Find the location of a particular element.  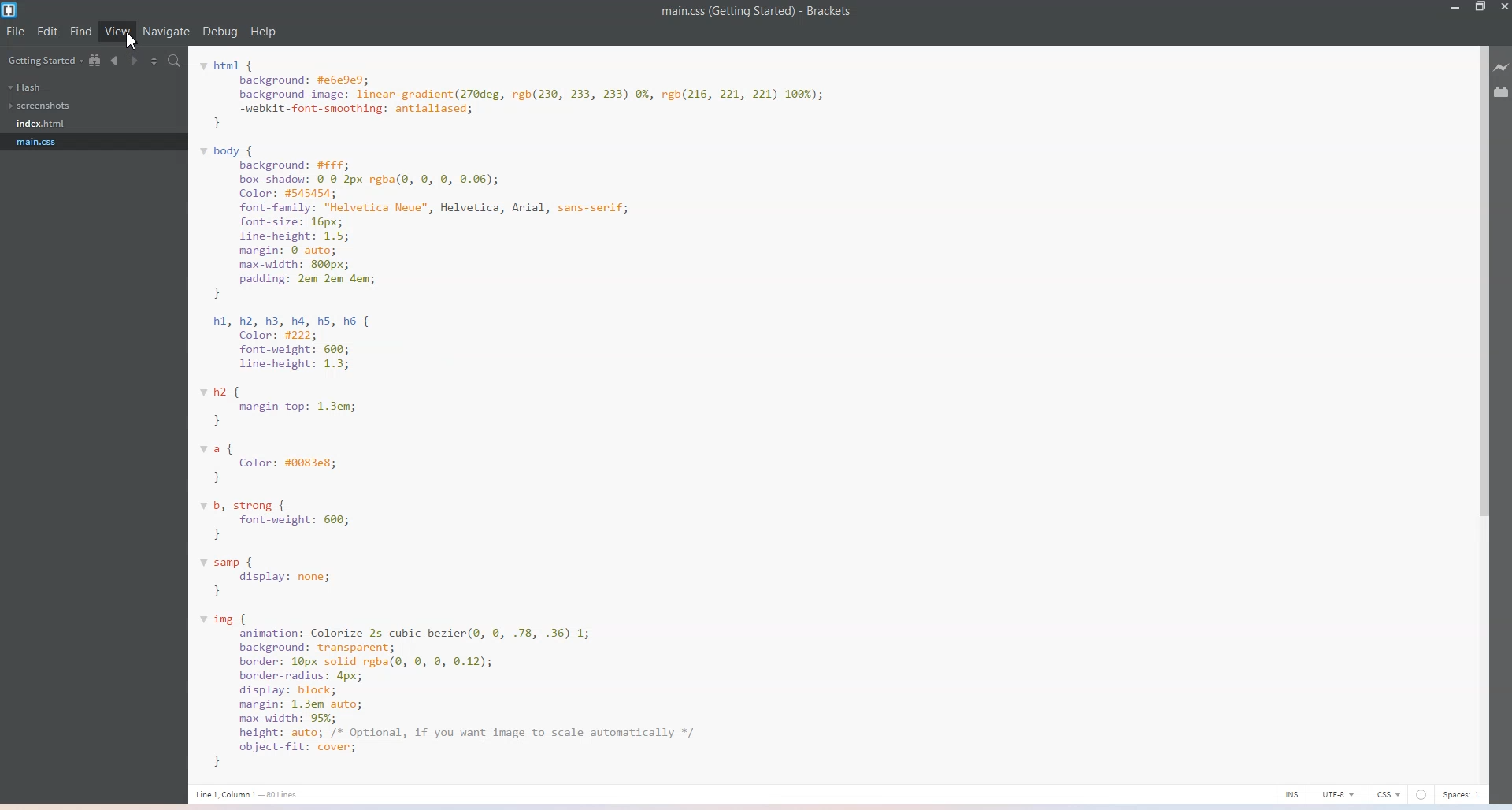

Vertical Scroll bar is located at coordinates (1481, 411).